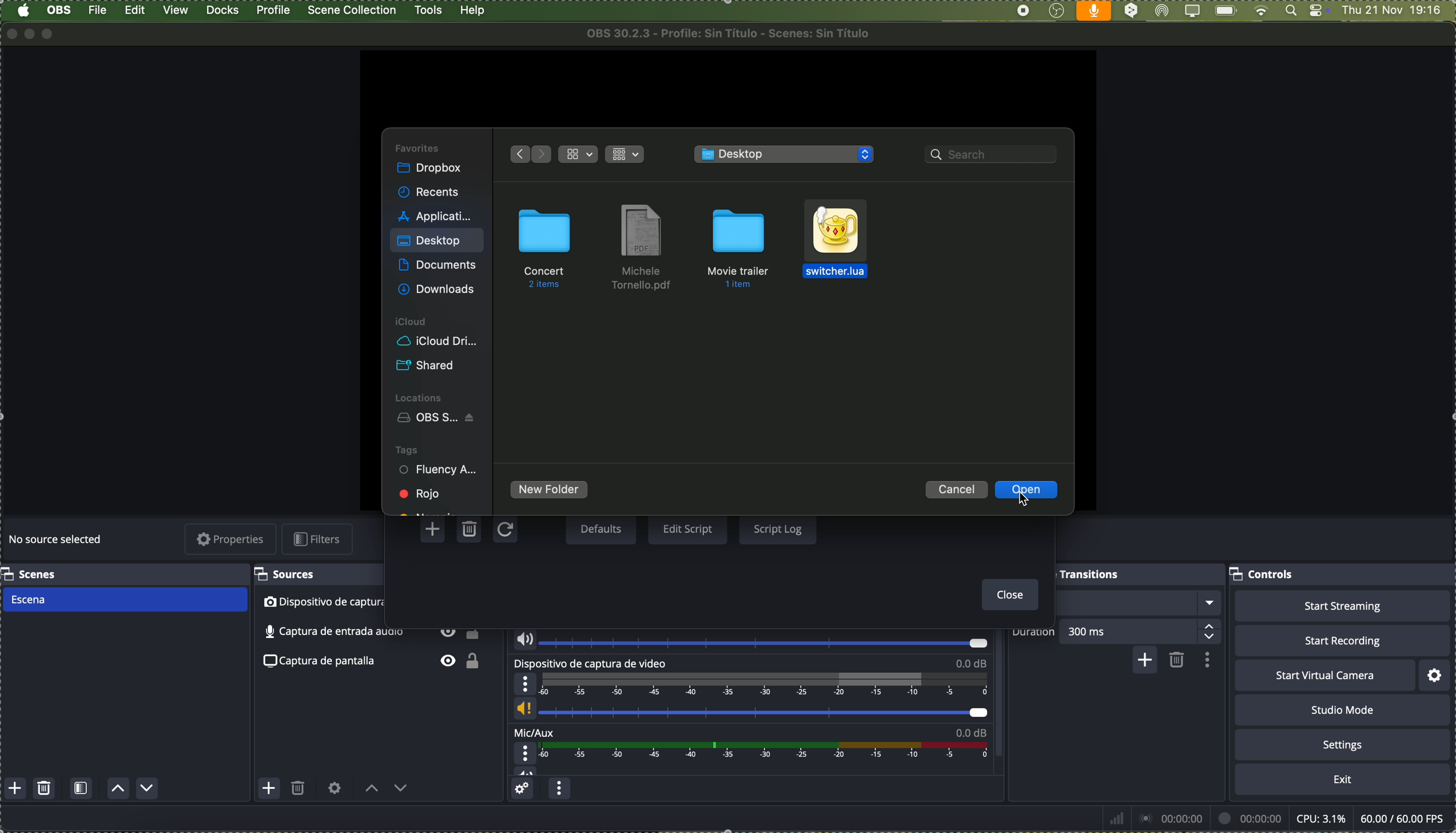 The height and width of the screenshot is (833, 1456). Describe the element at coordinates (1319, 11) in the screenshot. I see `controls` at that location.